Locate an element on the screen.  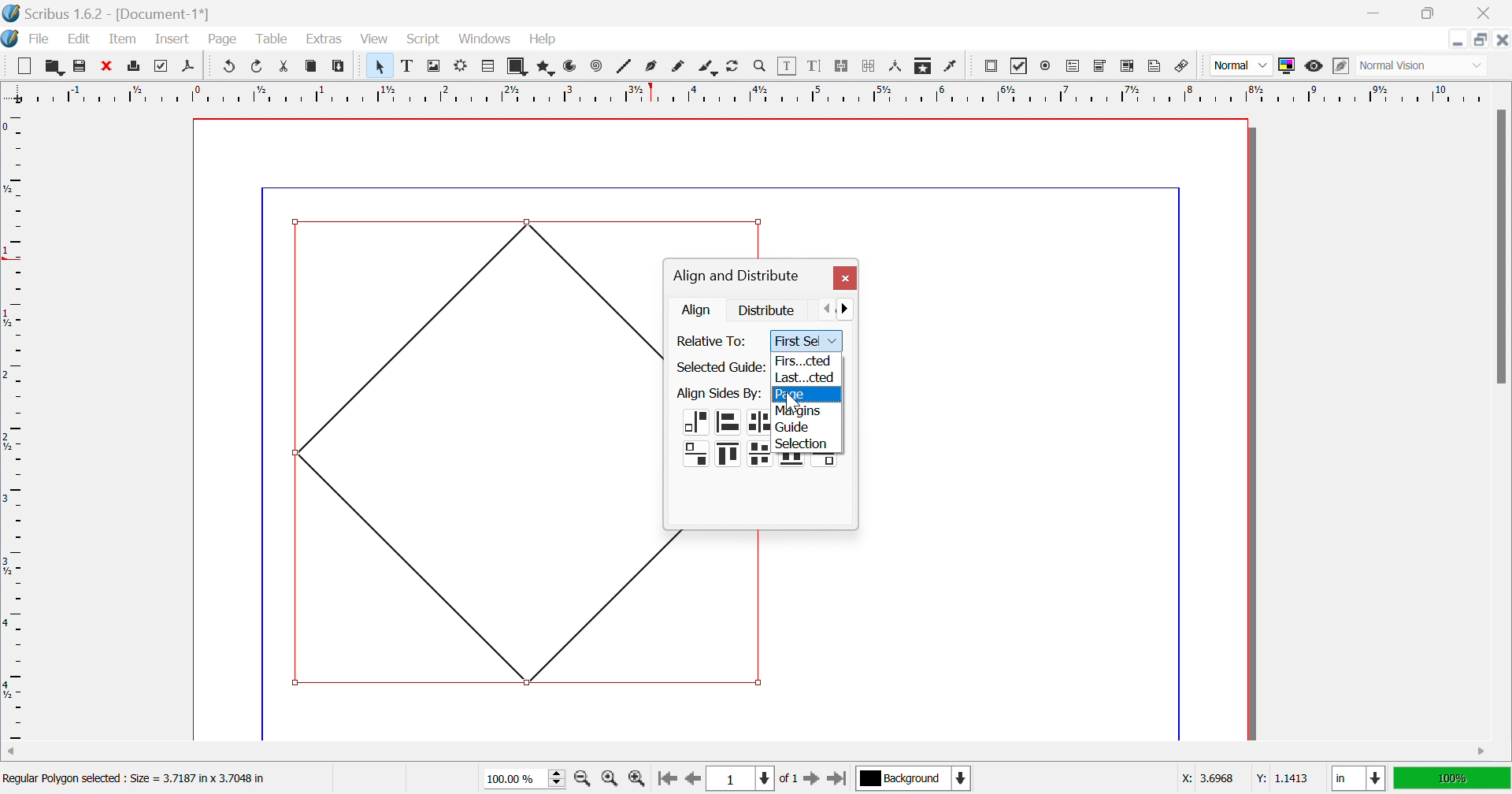
Zoom in or out is located at coordinates (760, 65).